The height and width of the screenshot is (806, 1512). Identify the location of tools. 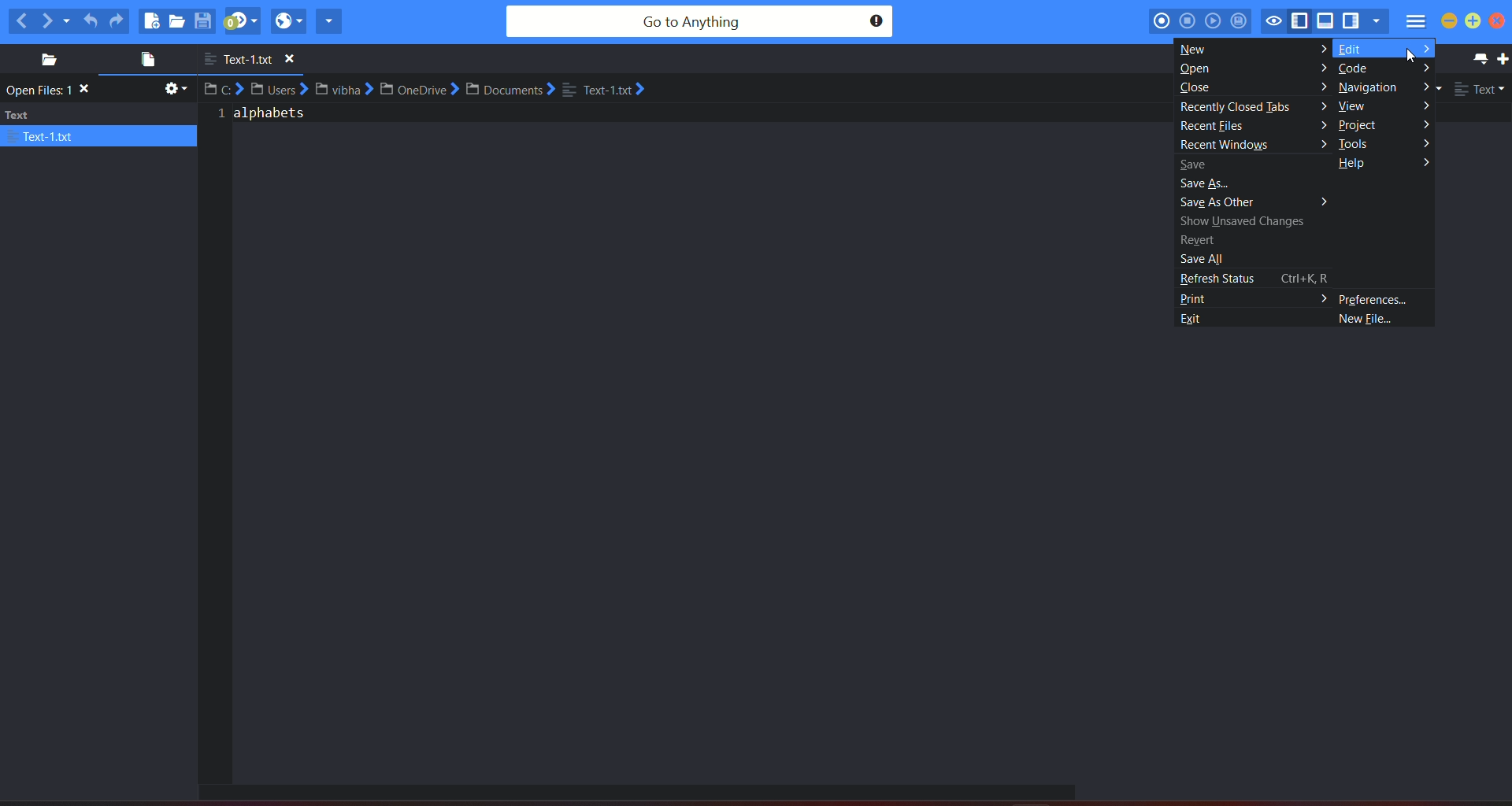
(1357, 145).